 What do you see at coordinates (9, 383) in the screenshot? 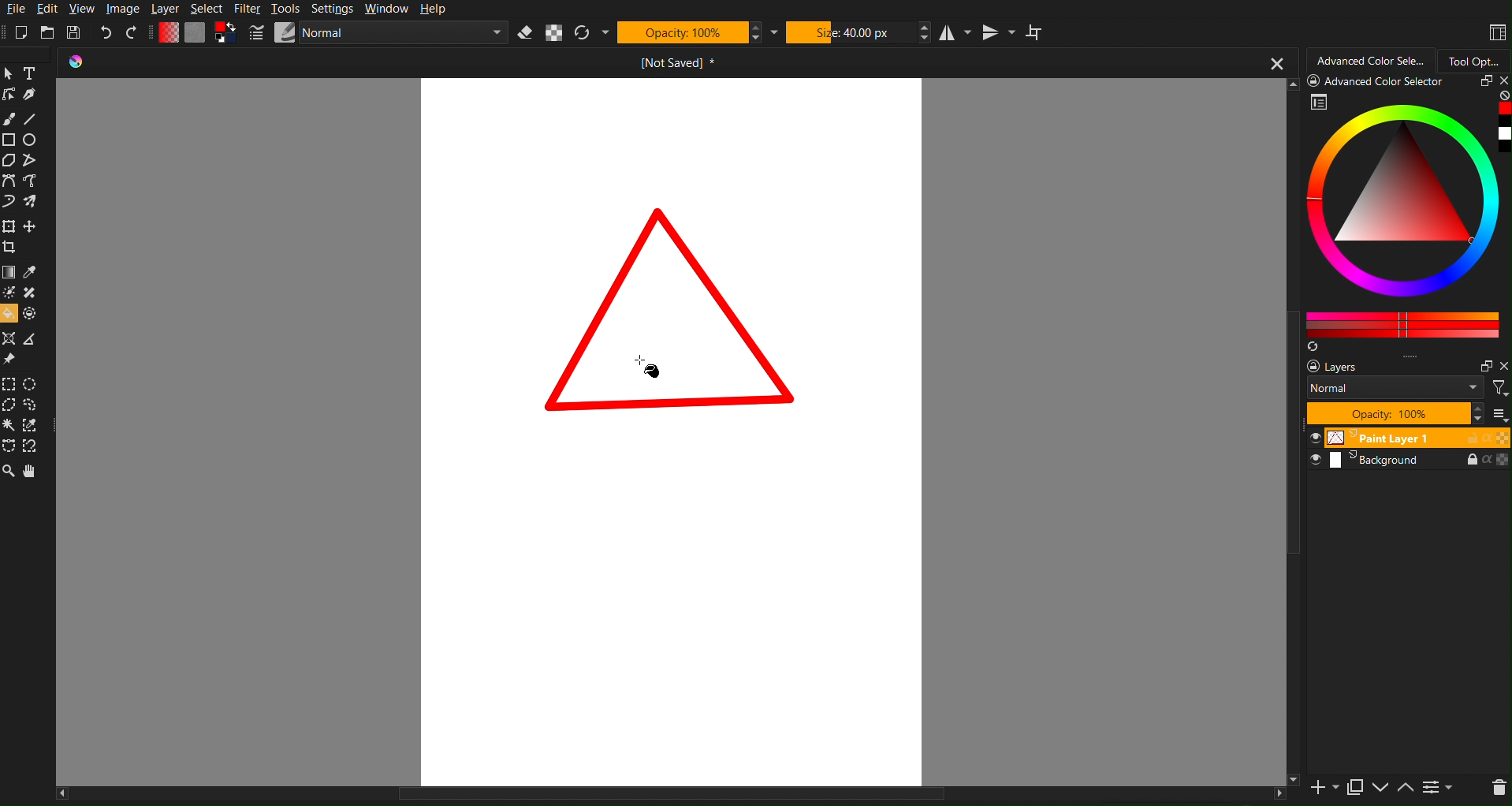
I see `rectangular Selection Tools` at bounding box center [9, 383].